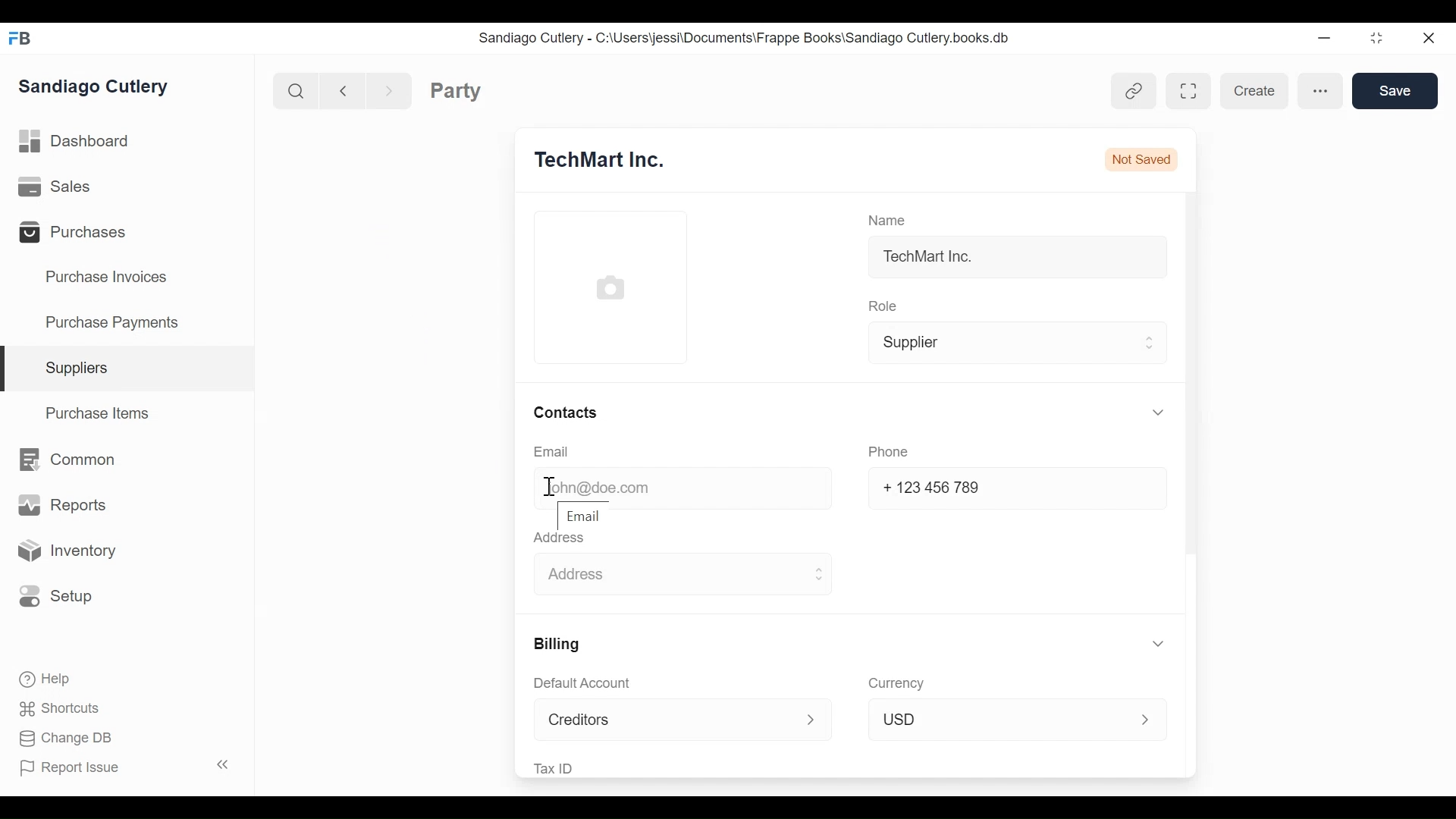 Image resolution: width=1456 pixels, height=819 pixels. I want to click on Contacts, so click(566, 410).